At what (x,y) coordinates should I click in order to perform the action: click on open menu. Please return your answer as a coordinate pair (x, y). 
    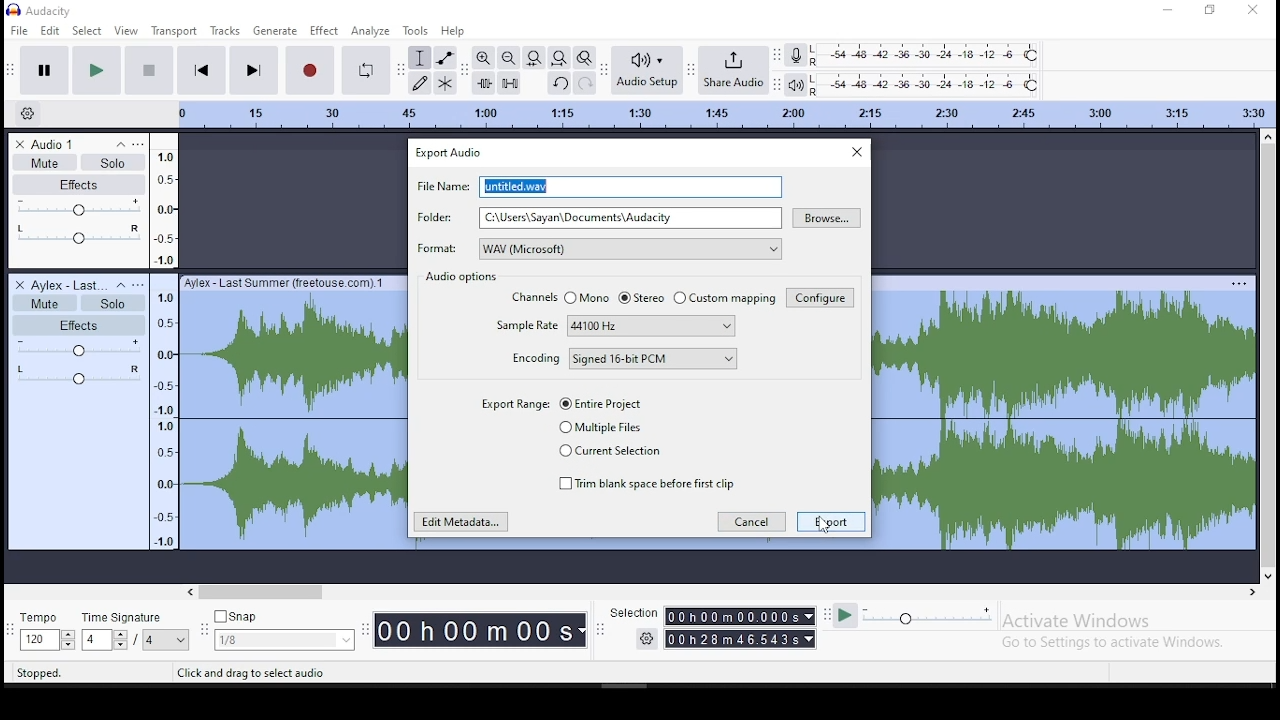
    Looking at the image, I should click on (140, 144).